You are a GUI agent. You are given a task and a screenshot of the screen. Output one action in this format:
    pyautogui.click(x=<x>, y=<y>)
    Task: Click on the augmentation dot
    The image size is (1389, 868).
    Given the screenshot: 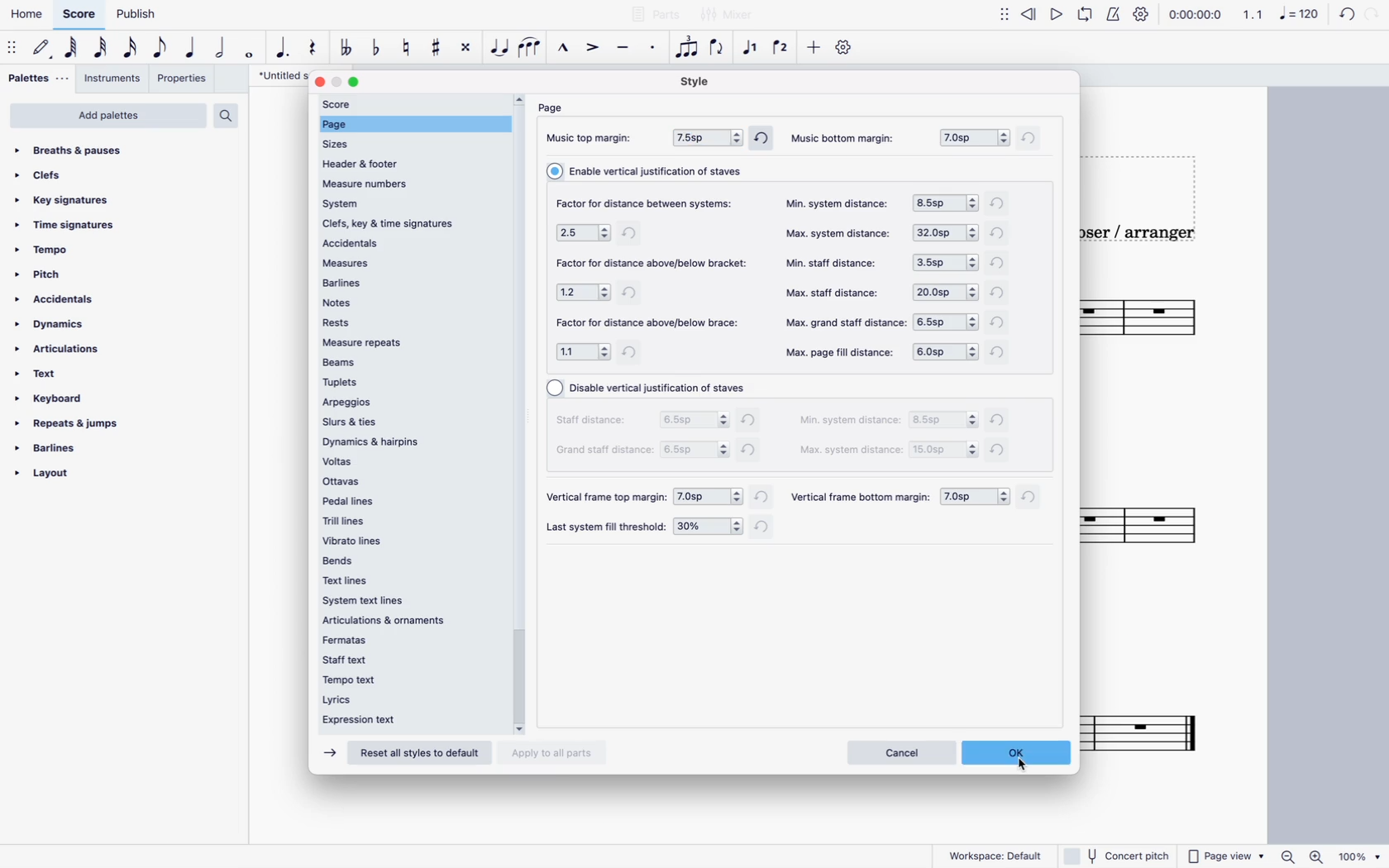 What is the action you would take?
    pyautogui.click(x=283, y=50)
    